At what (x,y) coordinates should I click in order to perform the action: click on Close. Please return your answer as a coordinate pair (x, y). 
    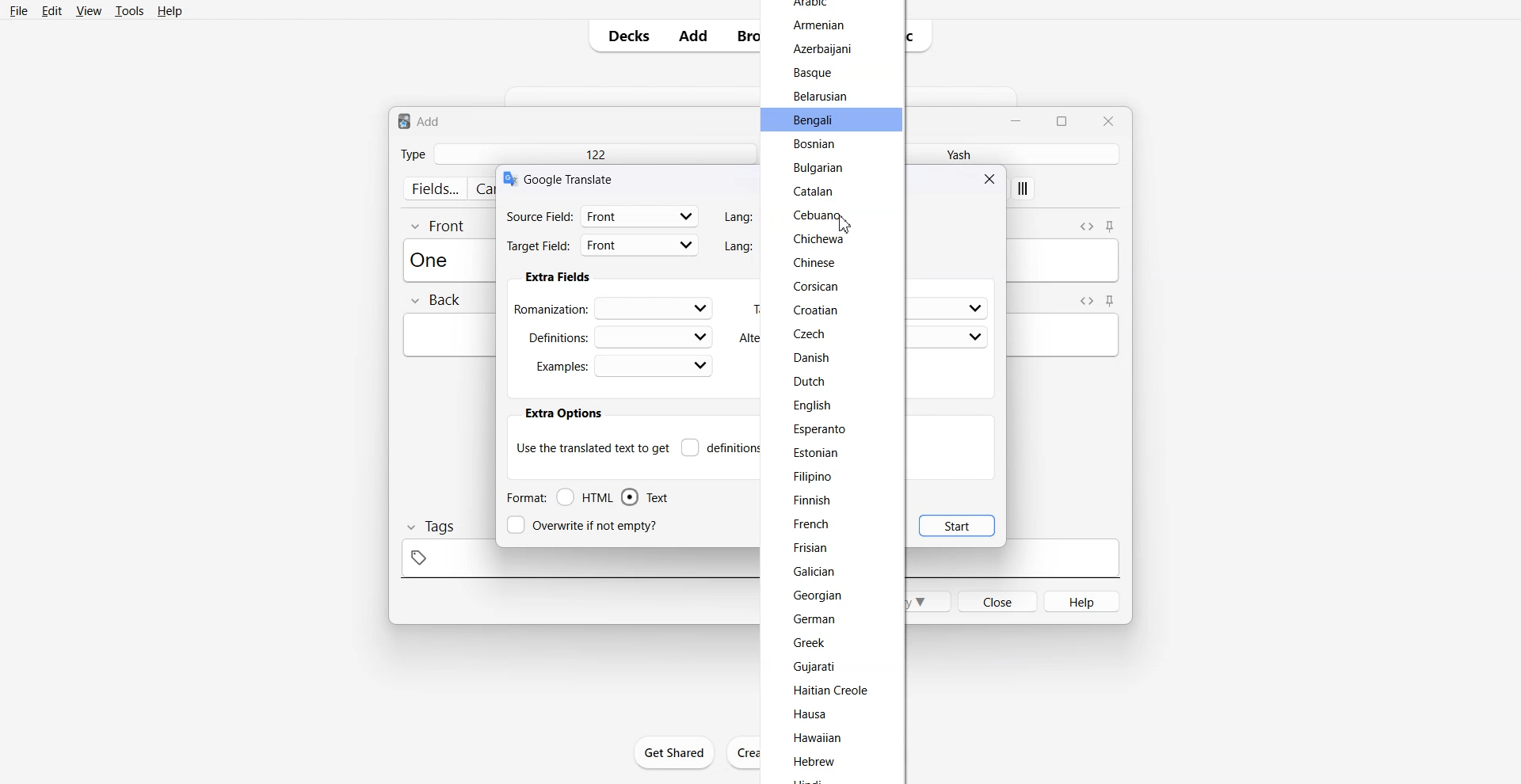
    Looking at the image, I should click on (992, 178).